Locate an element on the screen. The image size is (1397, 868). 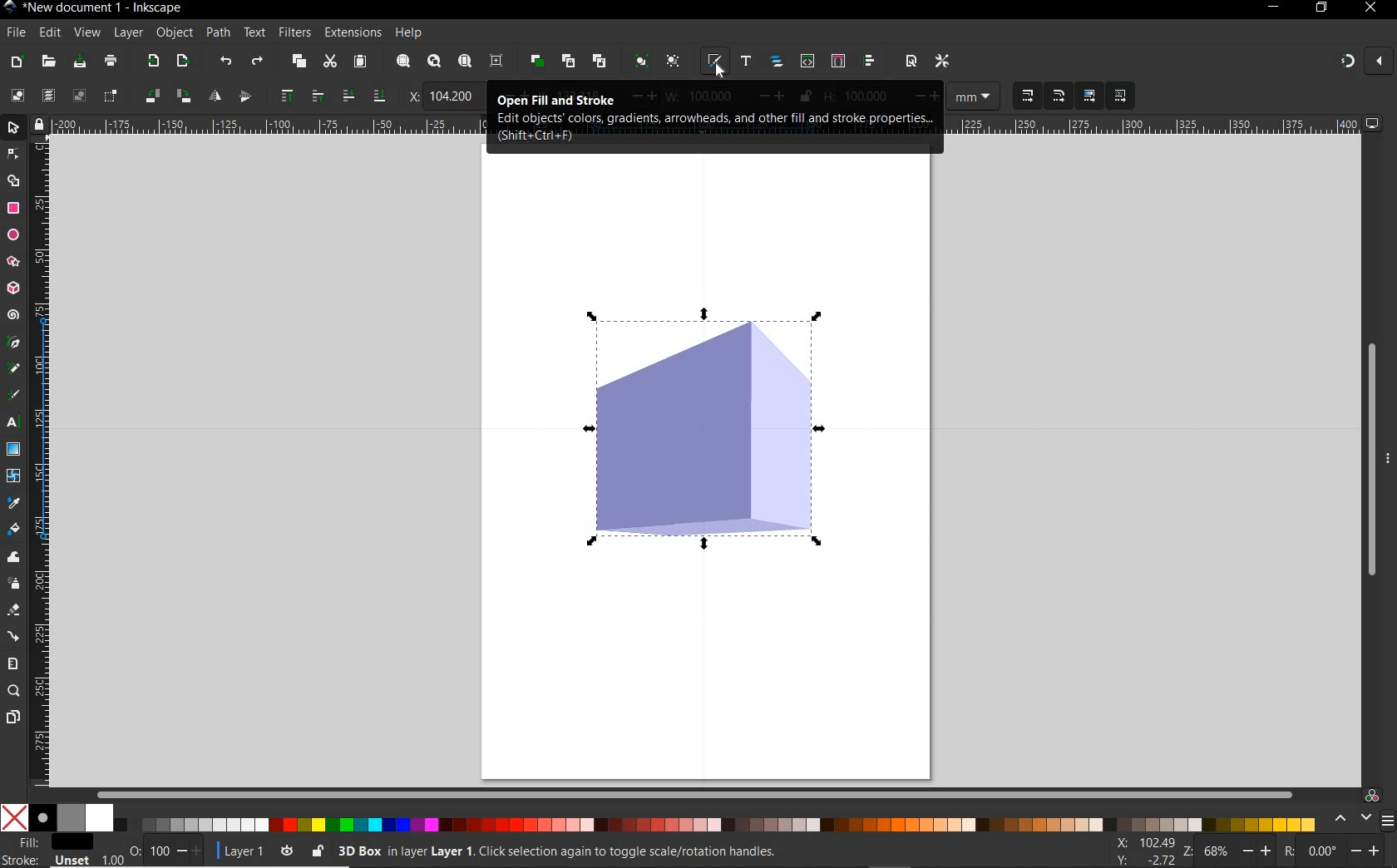
CLOSE is located at coordinates (1369, 12).